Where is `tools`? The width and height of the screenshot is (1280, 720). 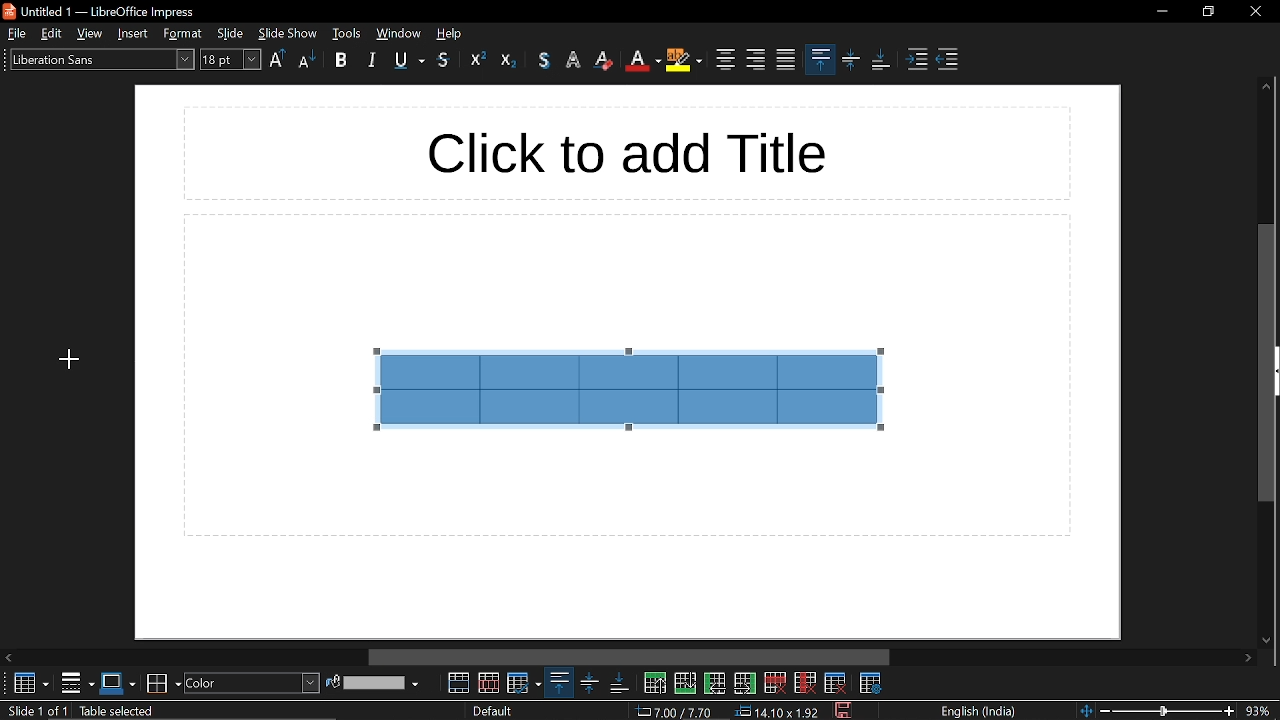 tools is located at coordinates (348, 34).